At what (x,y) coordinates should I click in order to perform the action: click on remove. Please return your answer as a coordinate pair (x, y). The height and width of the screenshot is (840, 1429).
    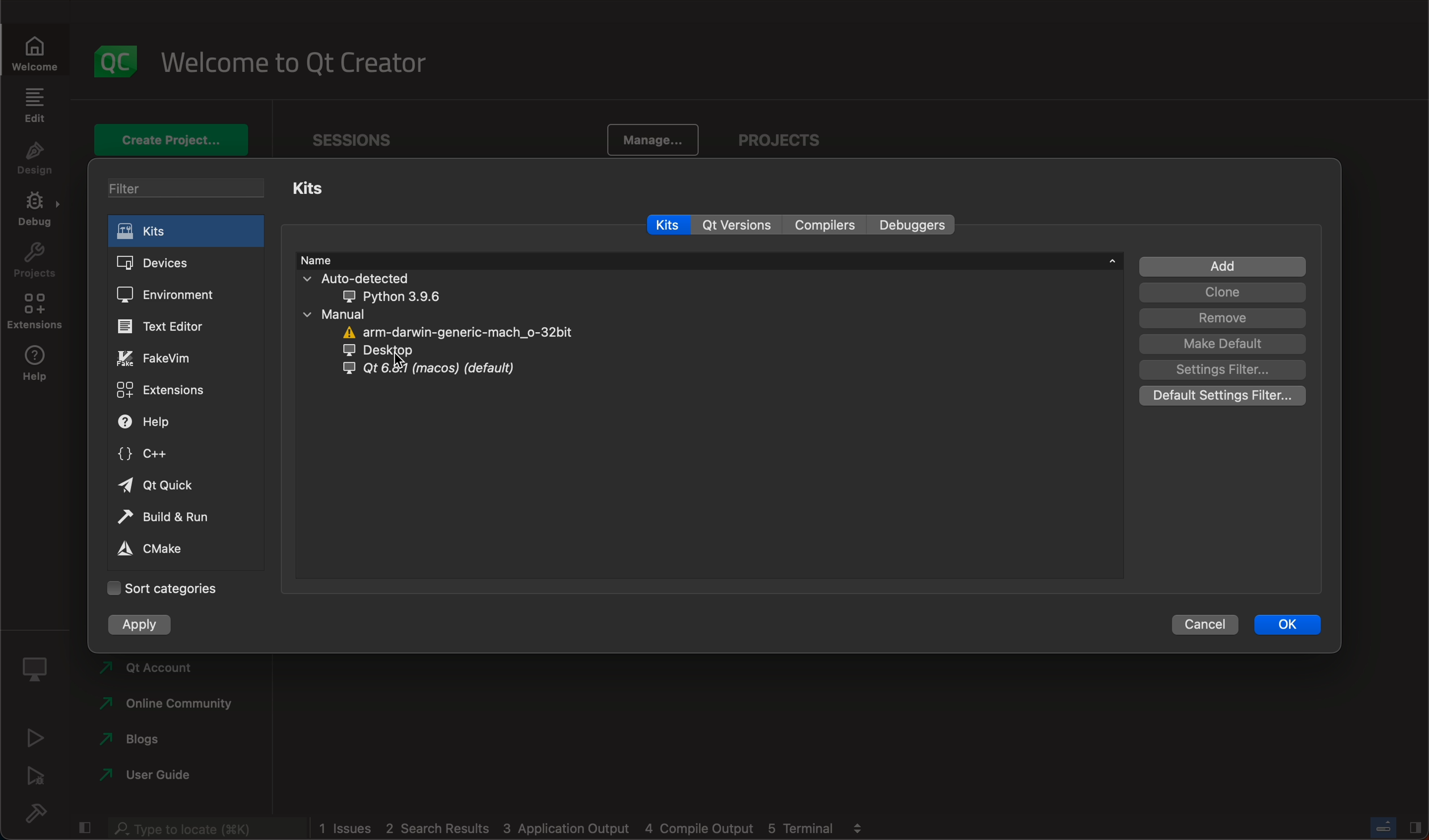
    Looking at the image, I should click on (1222, 319).